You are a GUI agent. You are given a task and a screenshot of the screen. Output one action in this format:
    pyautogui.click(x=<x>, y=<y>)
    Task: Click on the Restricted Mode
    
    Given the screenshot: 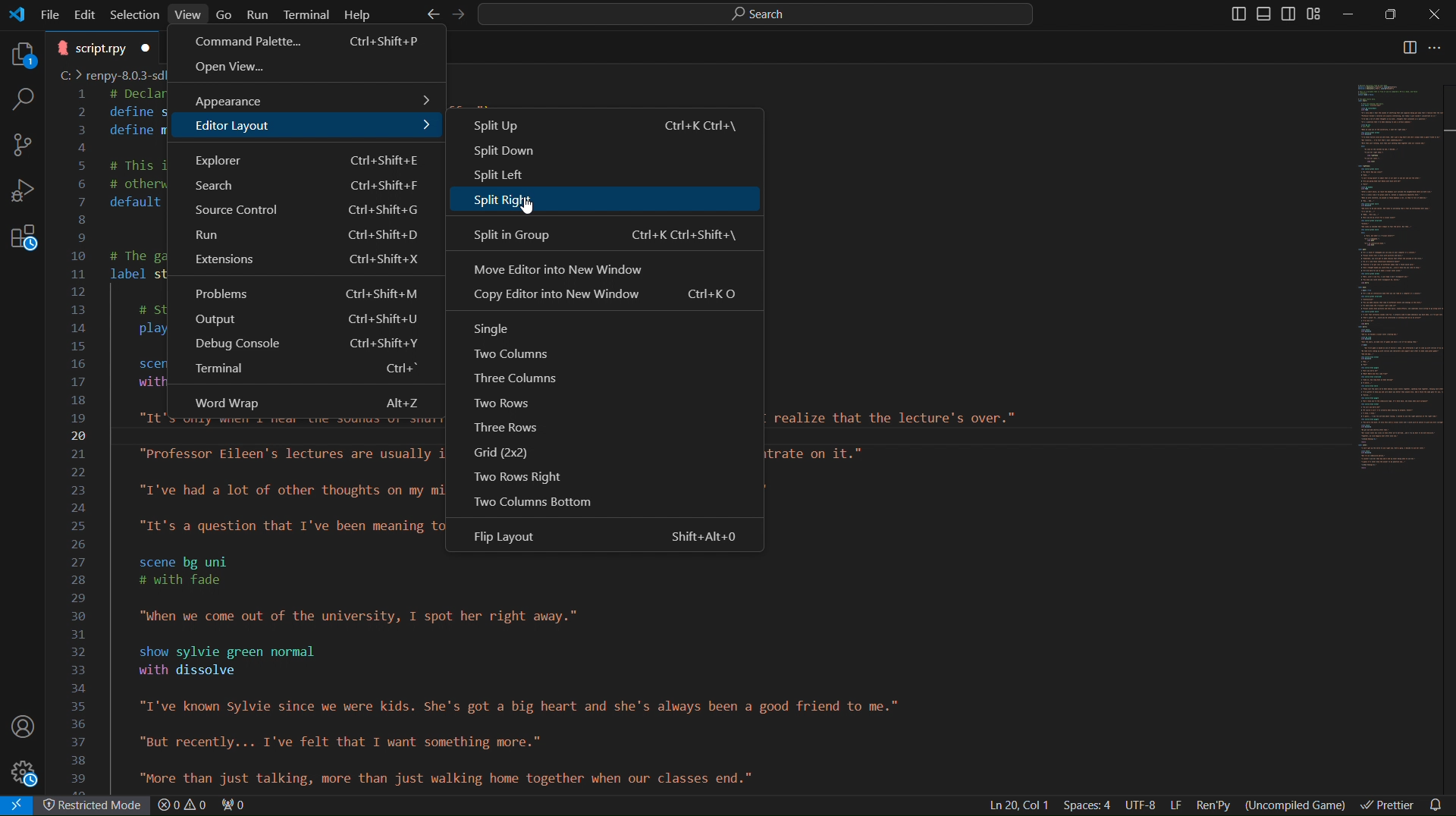 What is the action you would take?
    pyautogui.click(x=96, y=807)
    